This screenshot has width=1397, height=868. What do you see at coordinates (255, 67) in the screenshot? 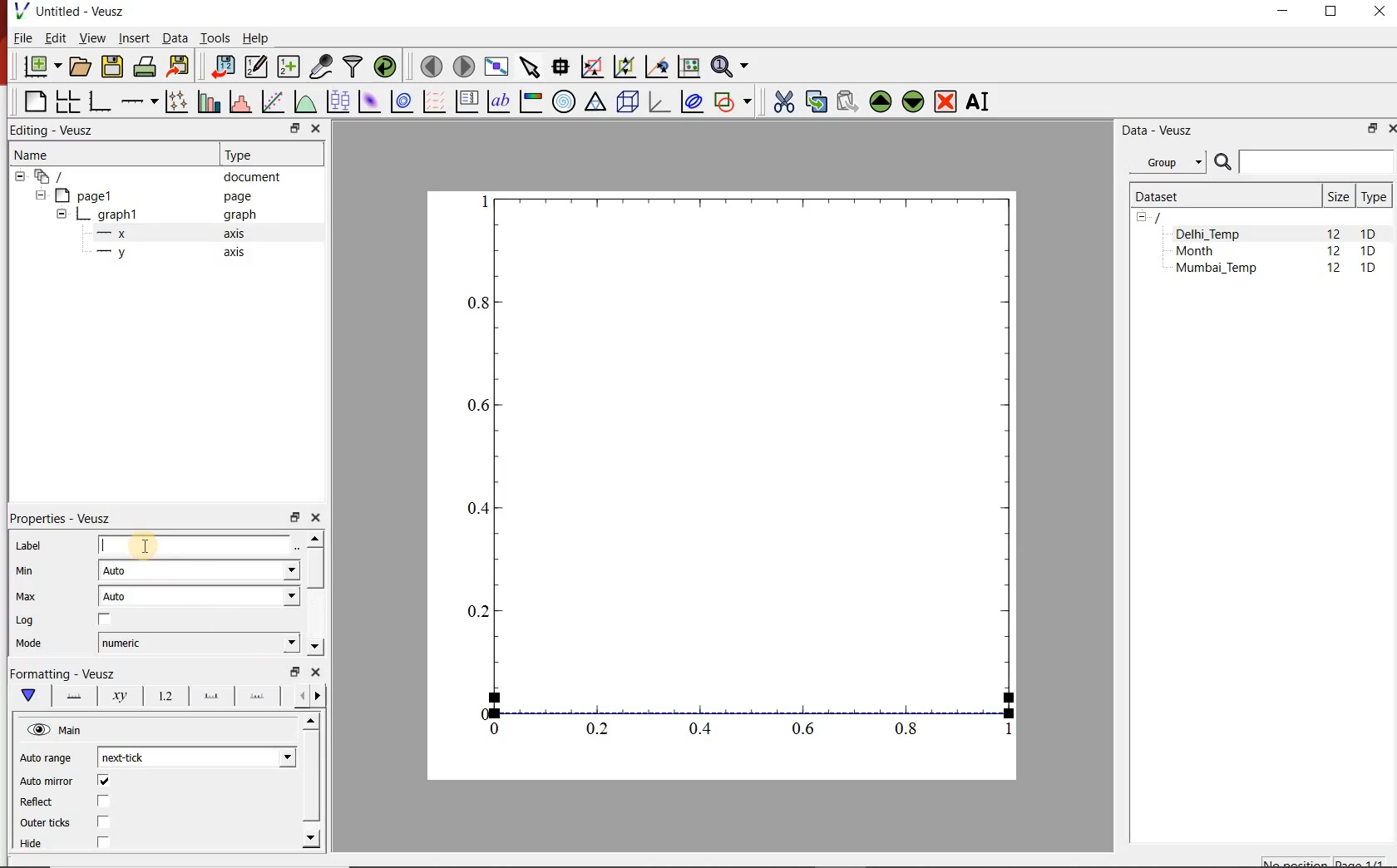
I see `edit and enter new datasets` at bounding box center [255, 67].